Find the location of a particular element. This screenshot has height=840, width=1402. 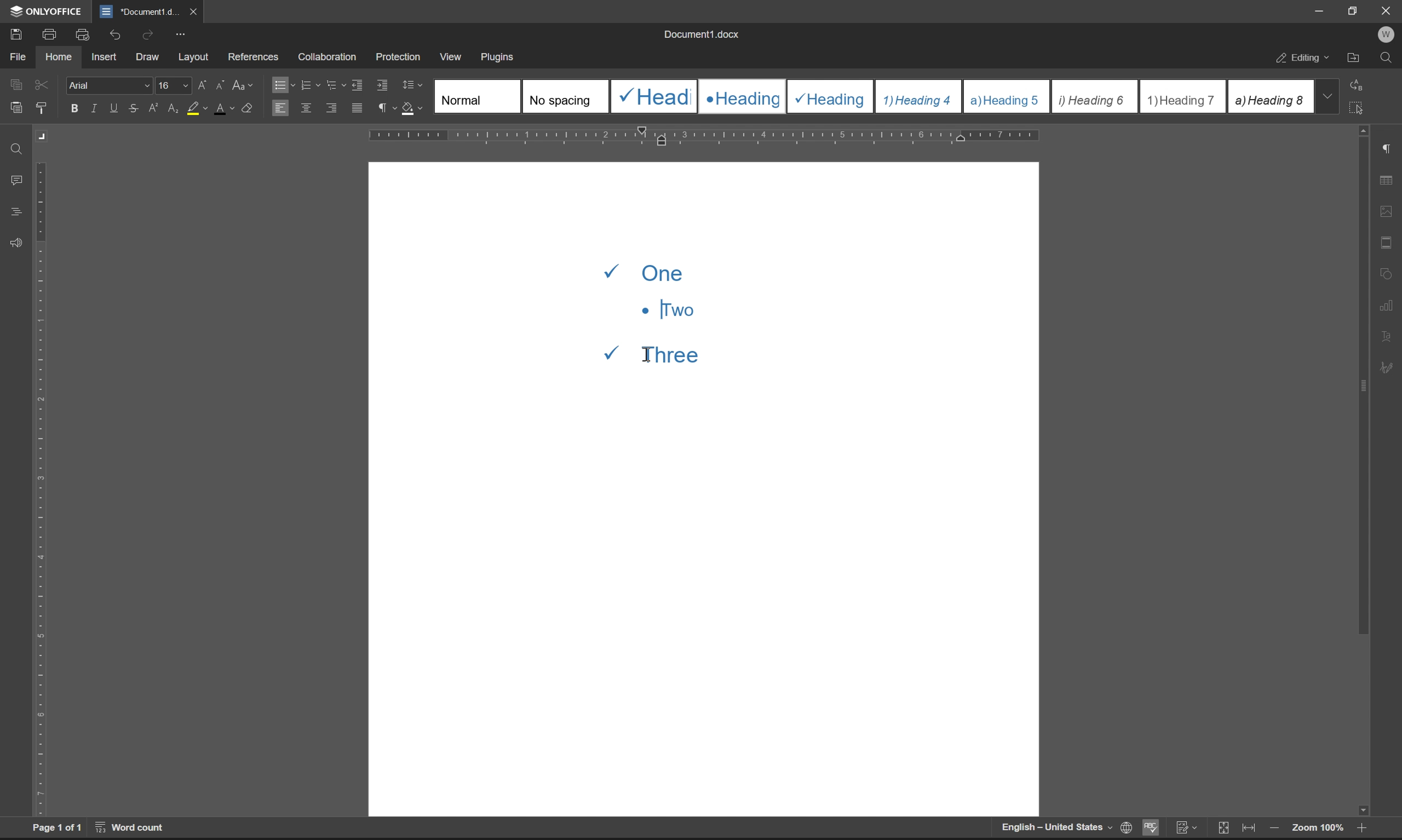

copy style is located at coordinates (41, 109).